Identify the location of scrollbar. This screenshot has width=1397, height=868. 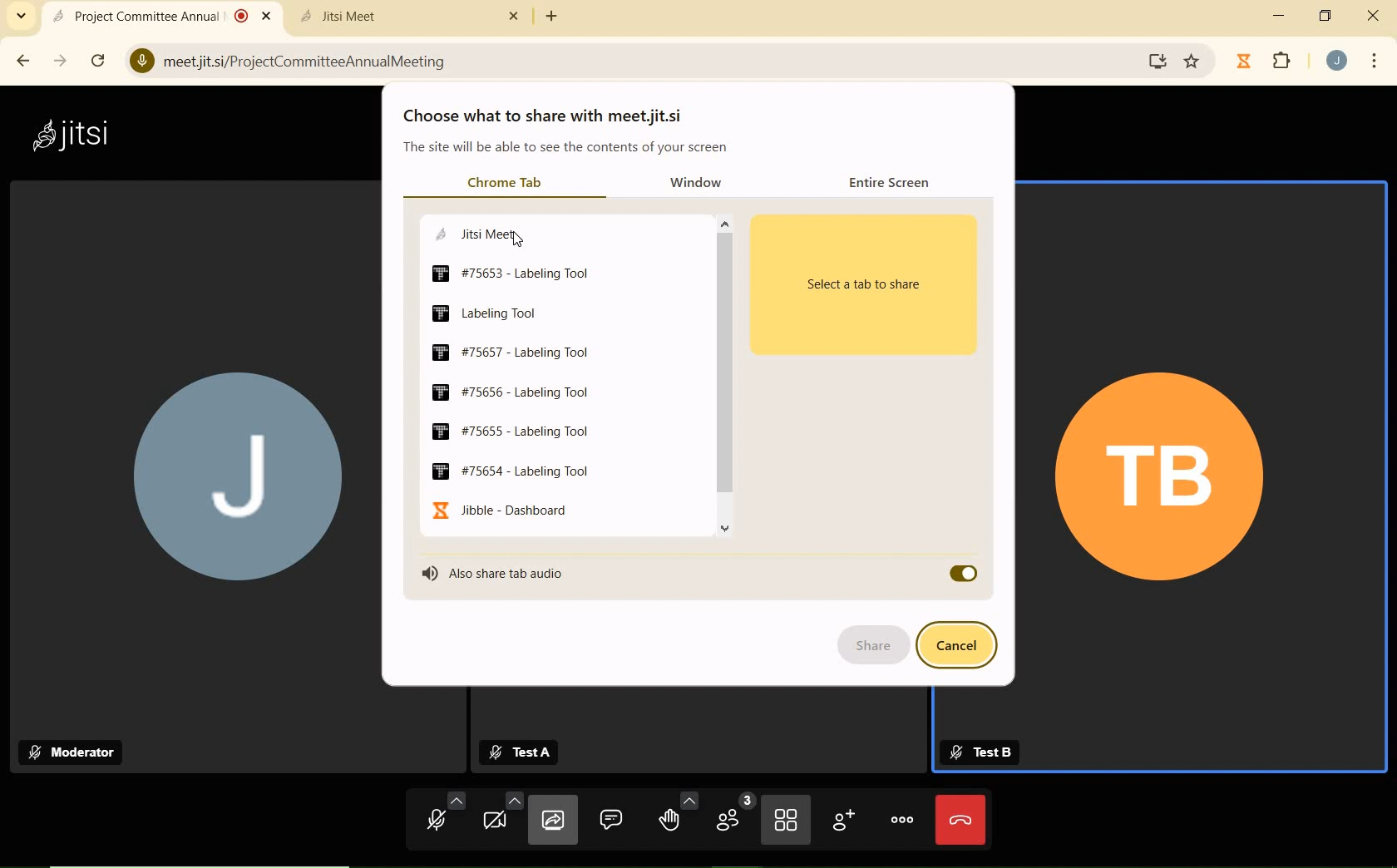
(724, 374).